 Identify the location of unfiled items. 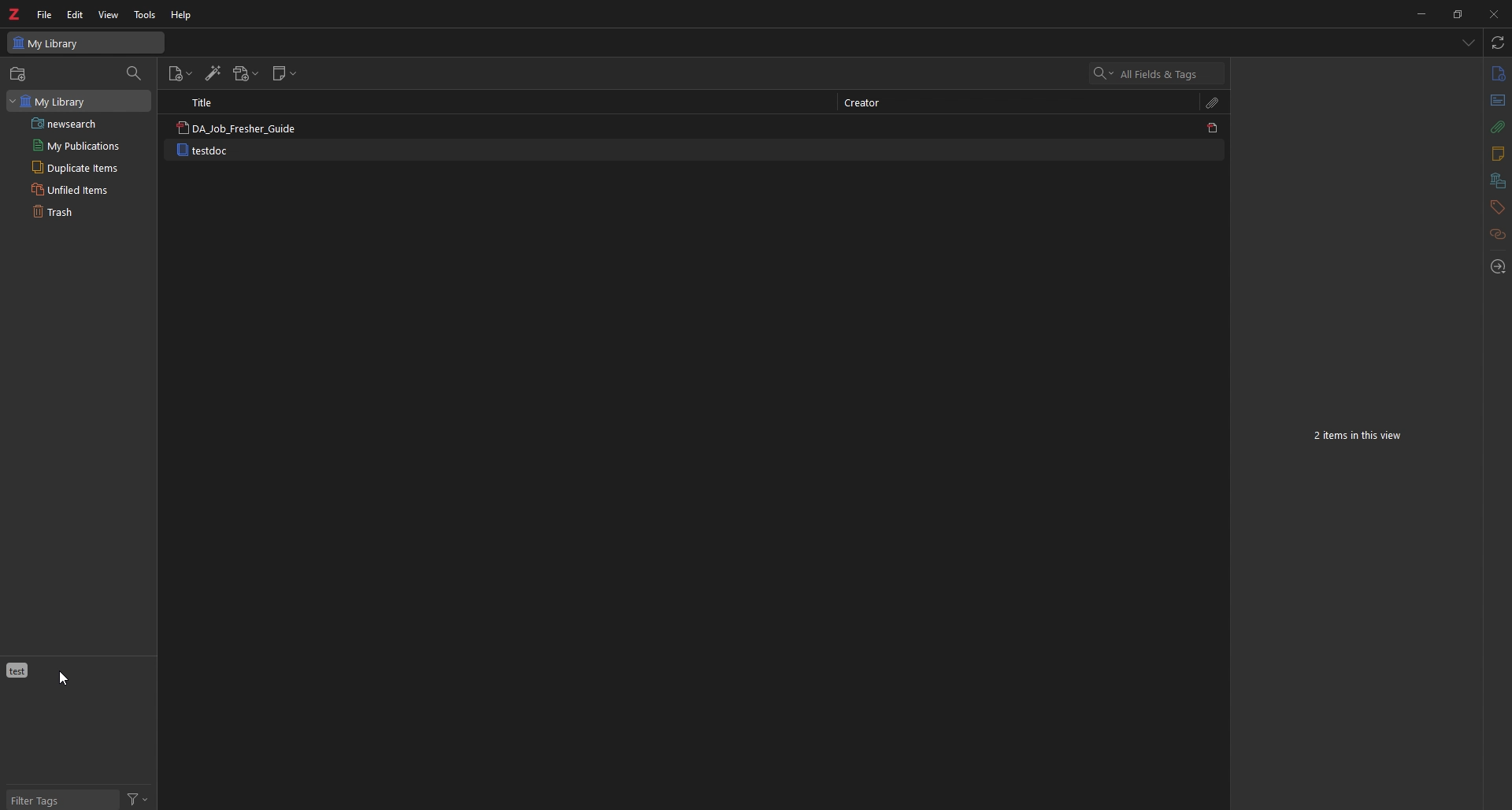
(83, 189).